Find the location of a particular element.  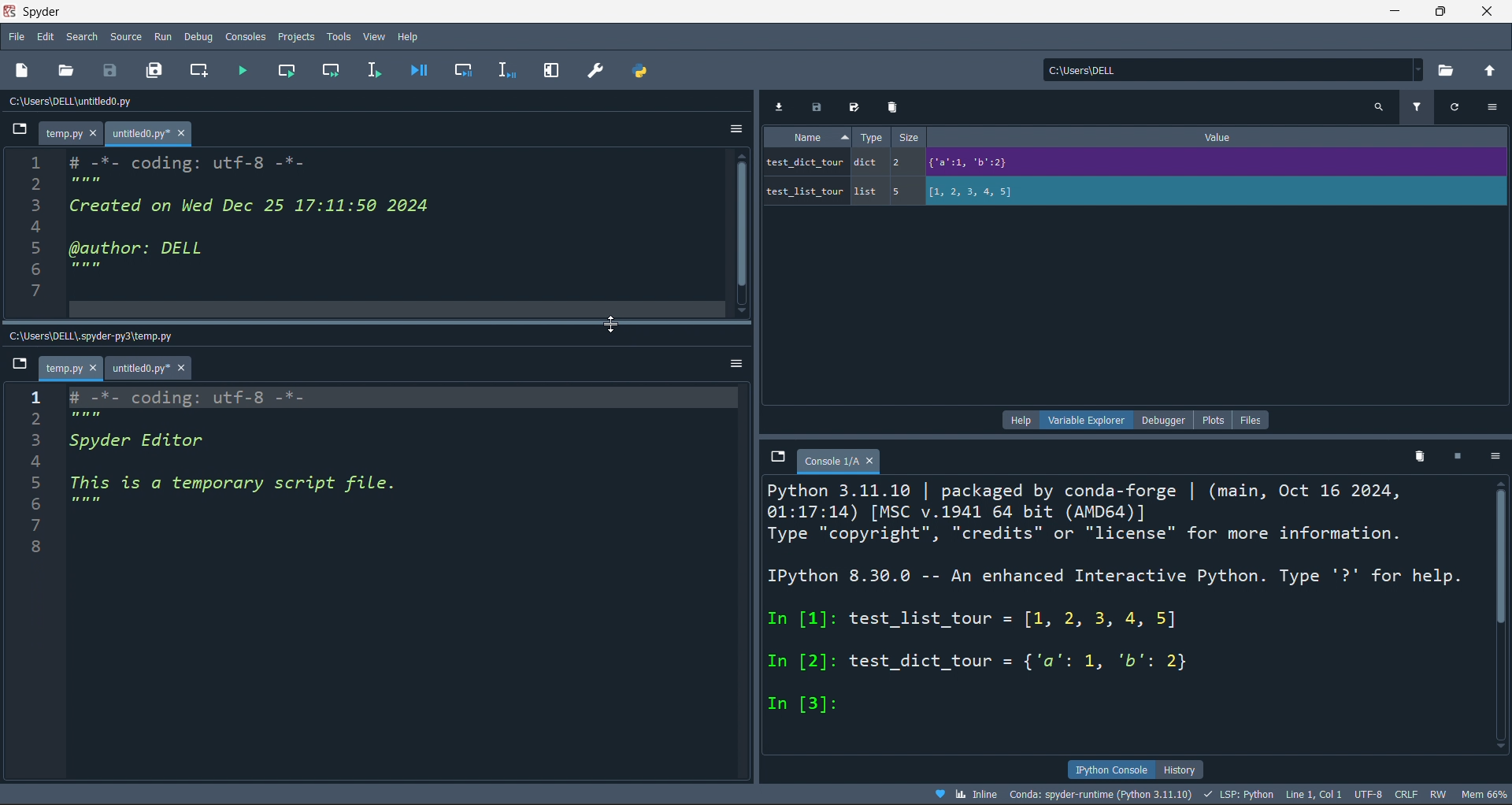

untitledo.py™ is located at coordinates (158, 133).